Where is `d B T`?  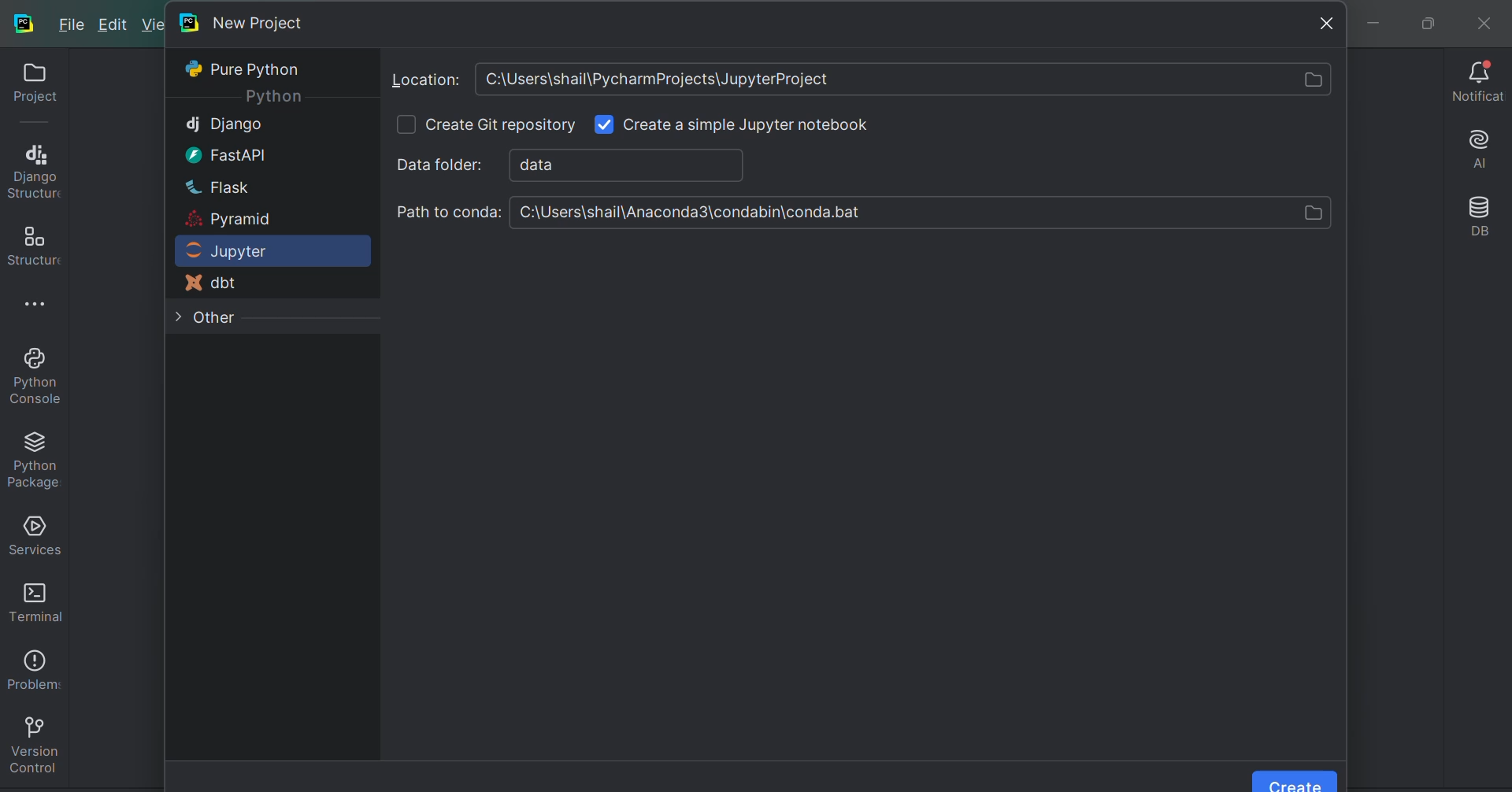 d B T is located at coordinates (217, 283).